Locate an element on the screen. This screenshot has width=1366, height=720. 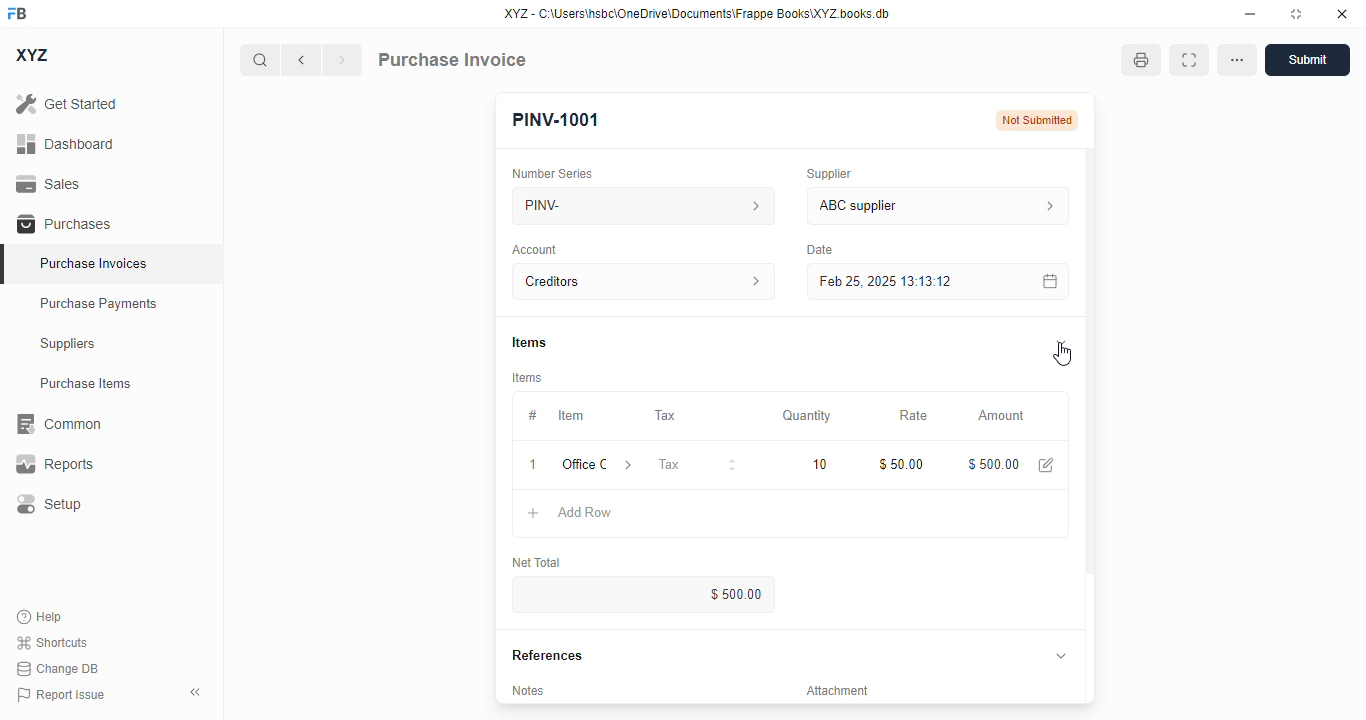
reports is located at coordinates (55, 464).